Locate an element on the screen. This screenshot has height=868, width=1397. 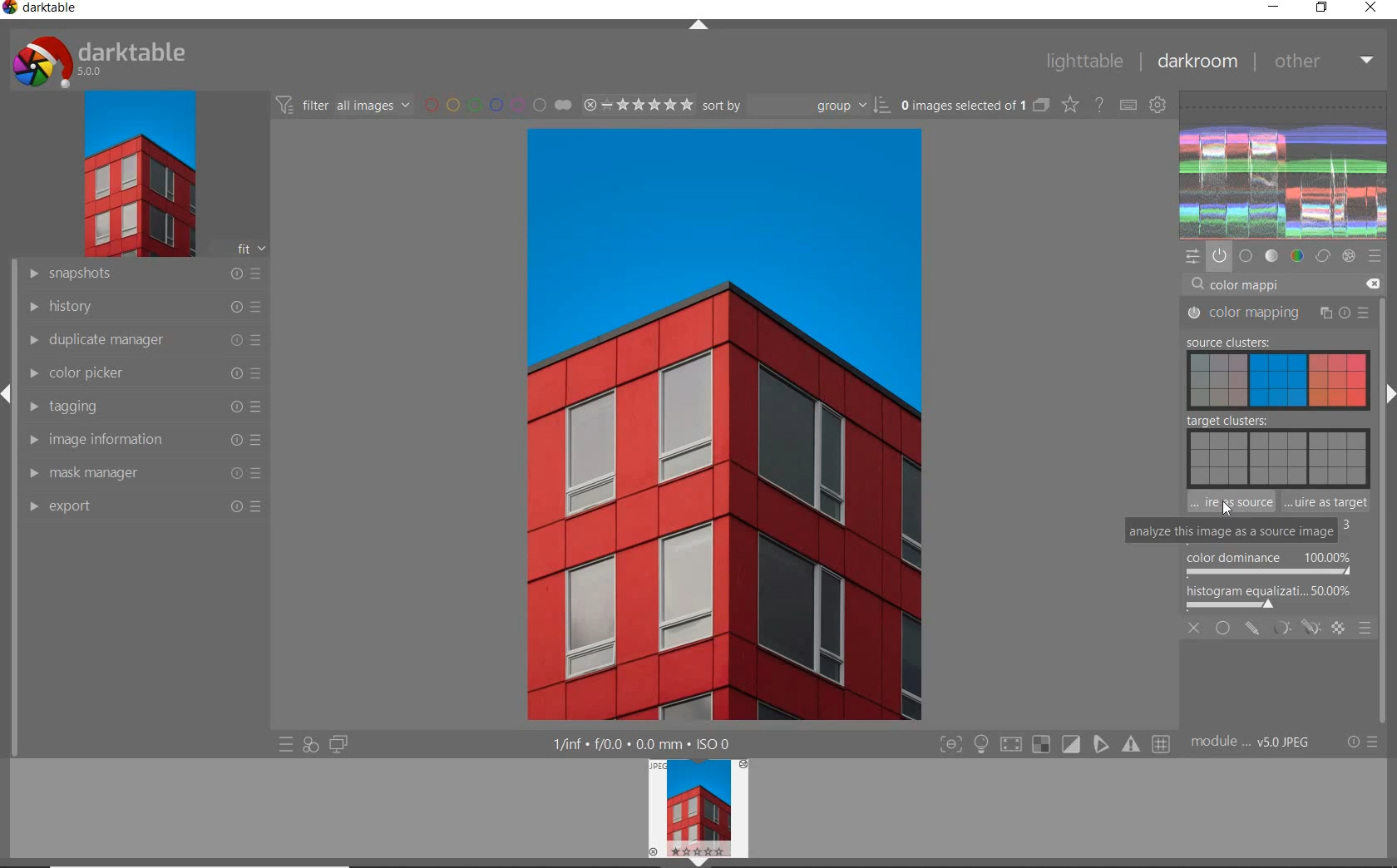
show global preference is located at coordinates (1158, 106).